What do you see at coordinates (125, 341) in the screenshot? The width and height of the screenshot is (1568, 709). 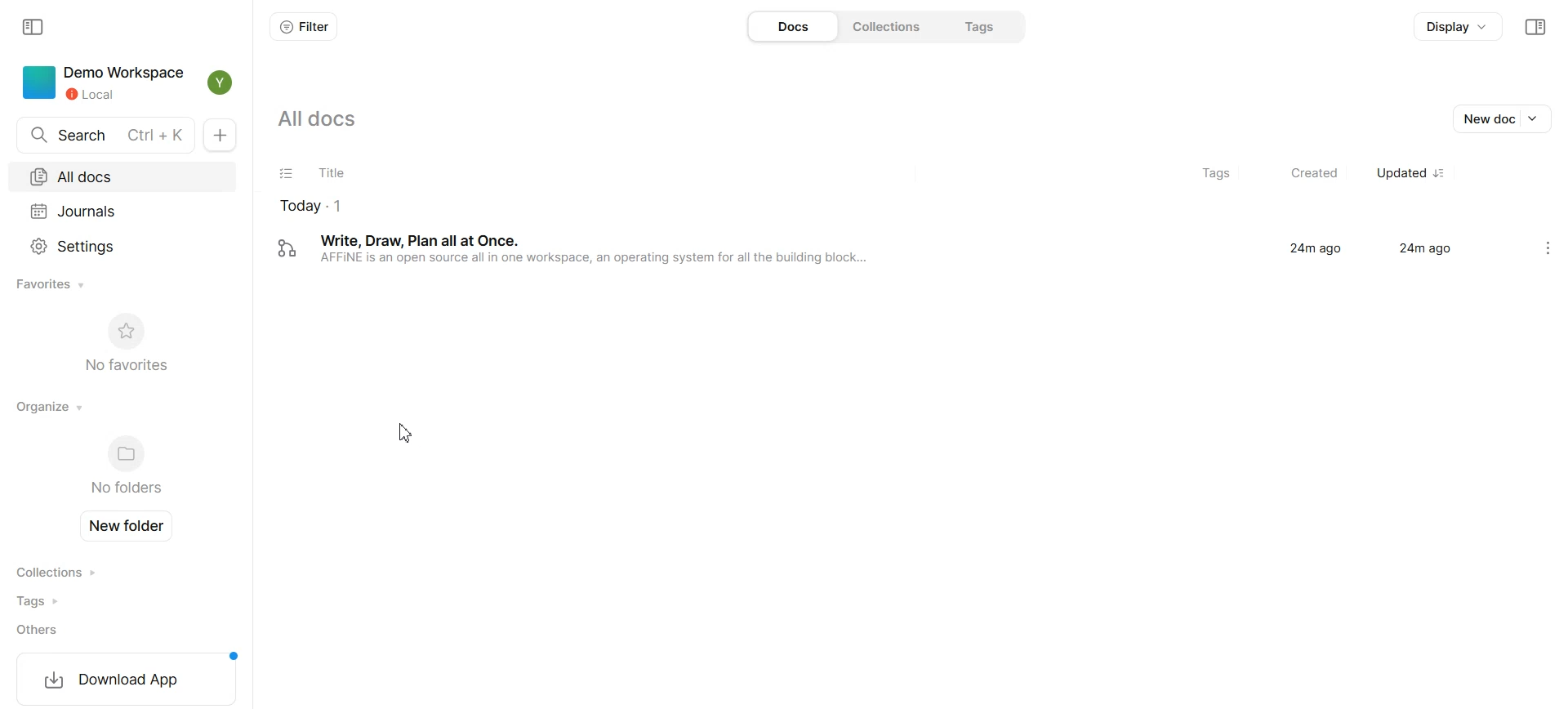 I see `no favorites` at bounding box center [125, 341].